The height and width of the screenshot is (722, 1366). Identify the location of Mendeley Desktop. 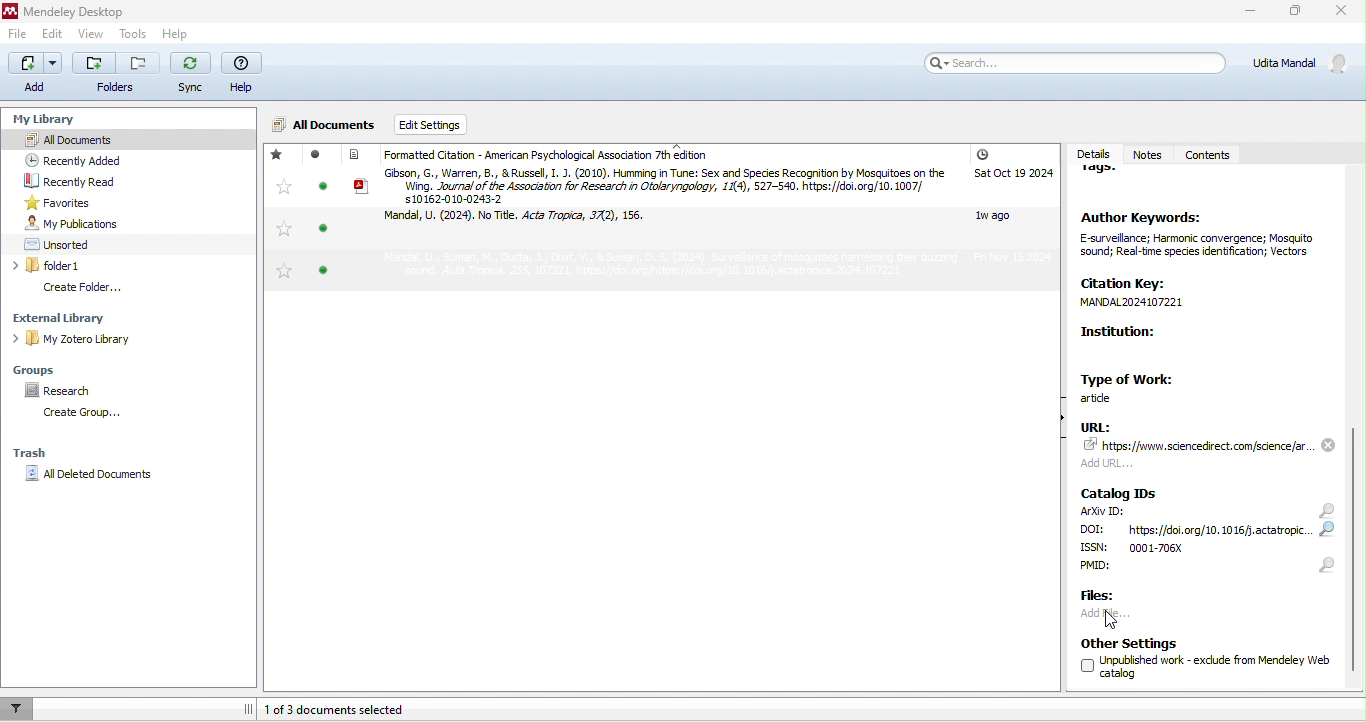
(68, 12).